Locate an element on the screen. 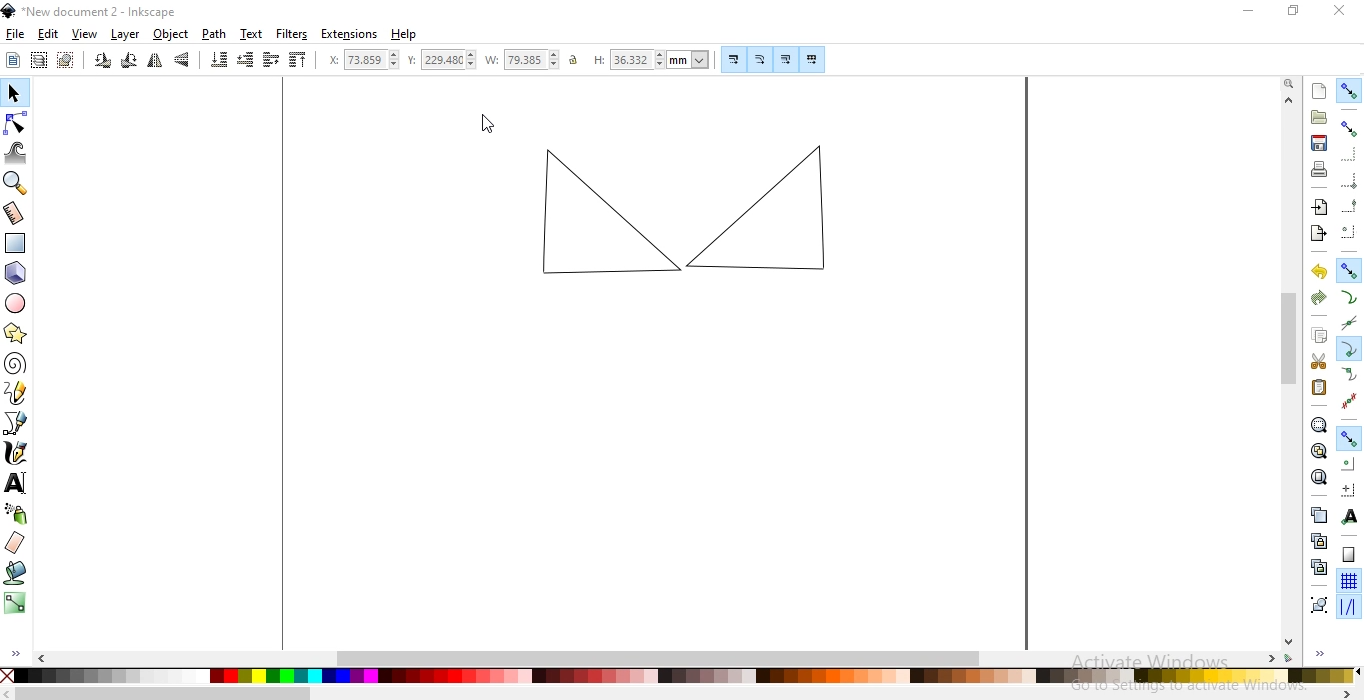 Image resolution: width=1364 pixels, height=700 pixels. scrollbar is located at coordinates (685, 693).